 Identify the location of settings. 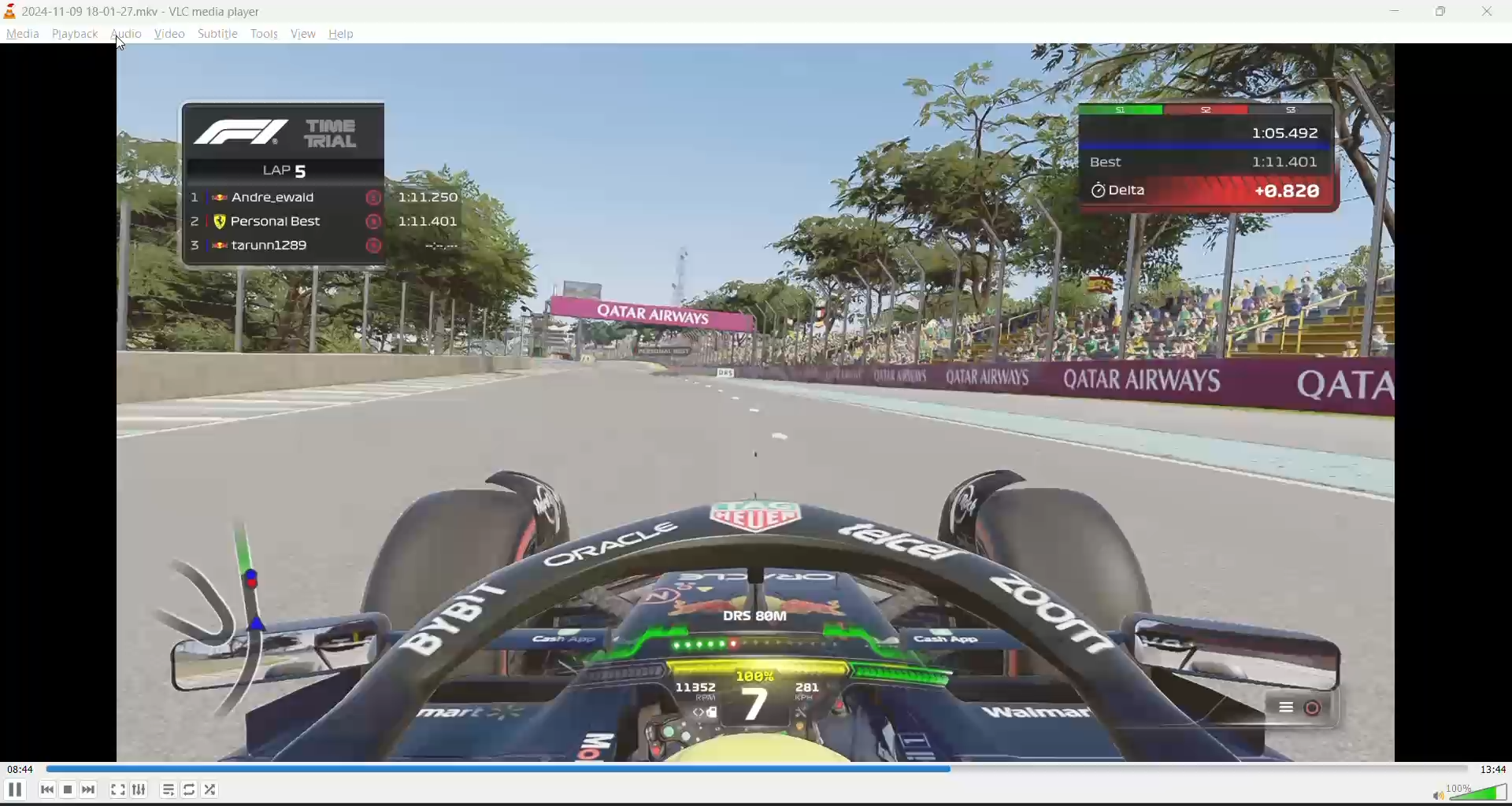
(137, 790).